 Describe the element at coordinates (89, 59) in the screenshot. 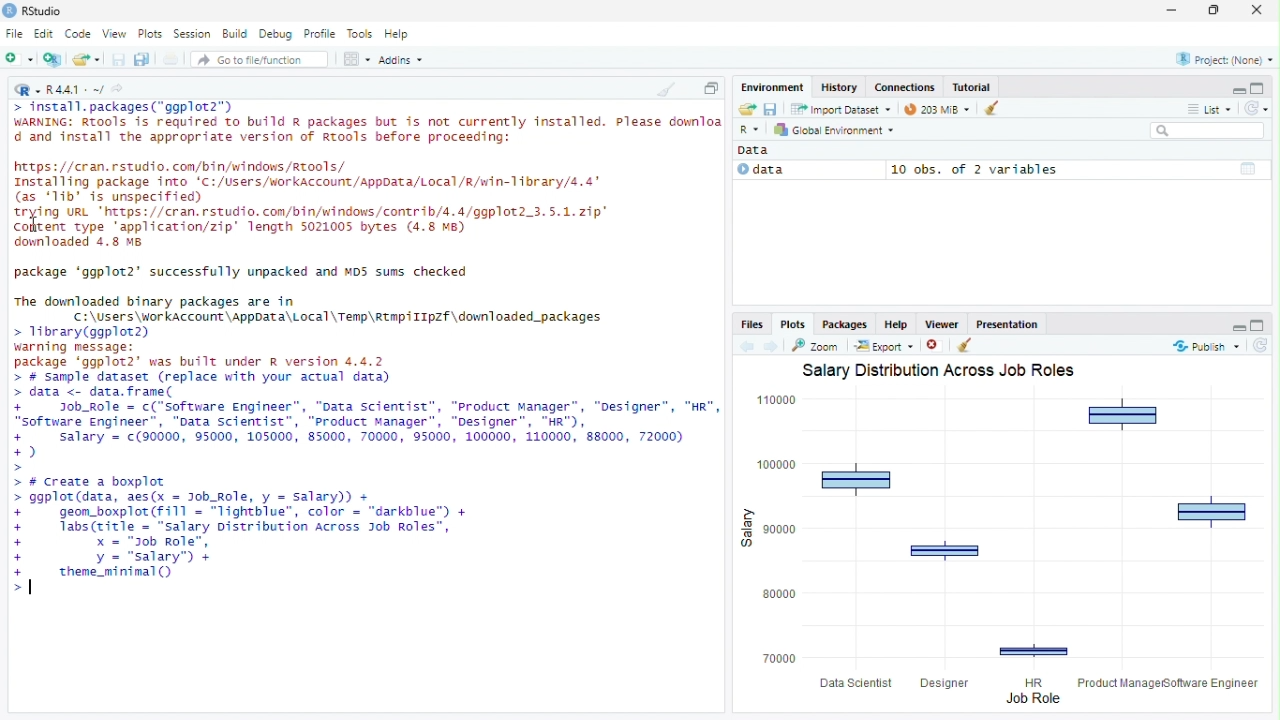

I see `open an existing file` at that location.